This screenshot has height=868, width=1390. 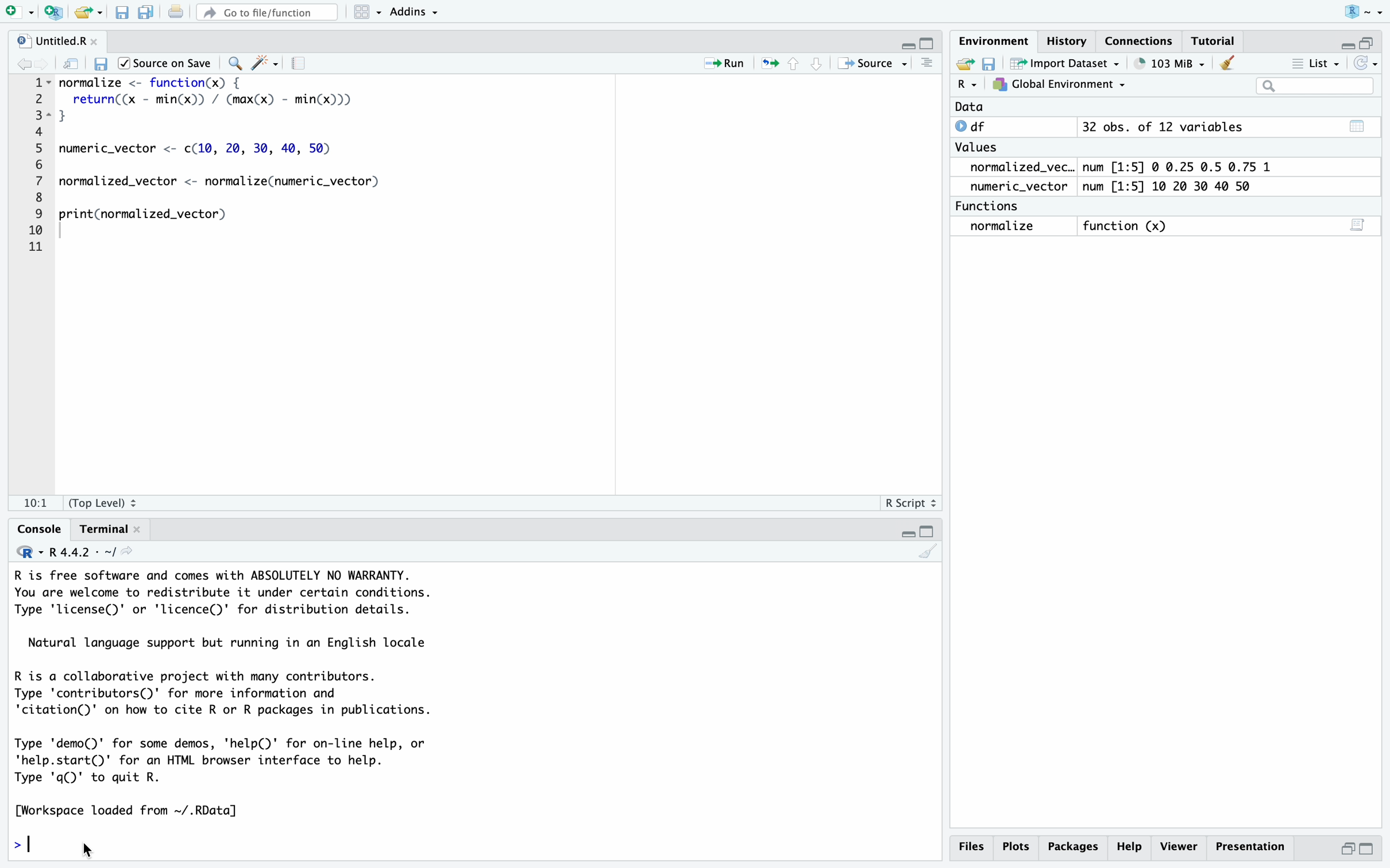 What do you see at coordinates (241, 169) in the screenshot?
I see `normaLize <- tTunction(x) +4
return((x - min(x)) / (max(x) - min(x)))
HB
numeric_vector <- c(10, 20, 30, 40, 50)
normalized_vector <- normalize(numeric_vector)
print(normalized_vector)` at bounding box center [241, 169].